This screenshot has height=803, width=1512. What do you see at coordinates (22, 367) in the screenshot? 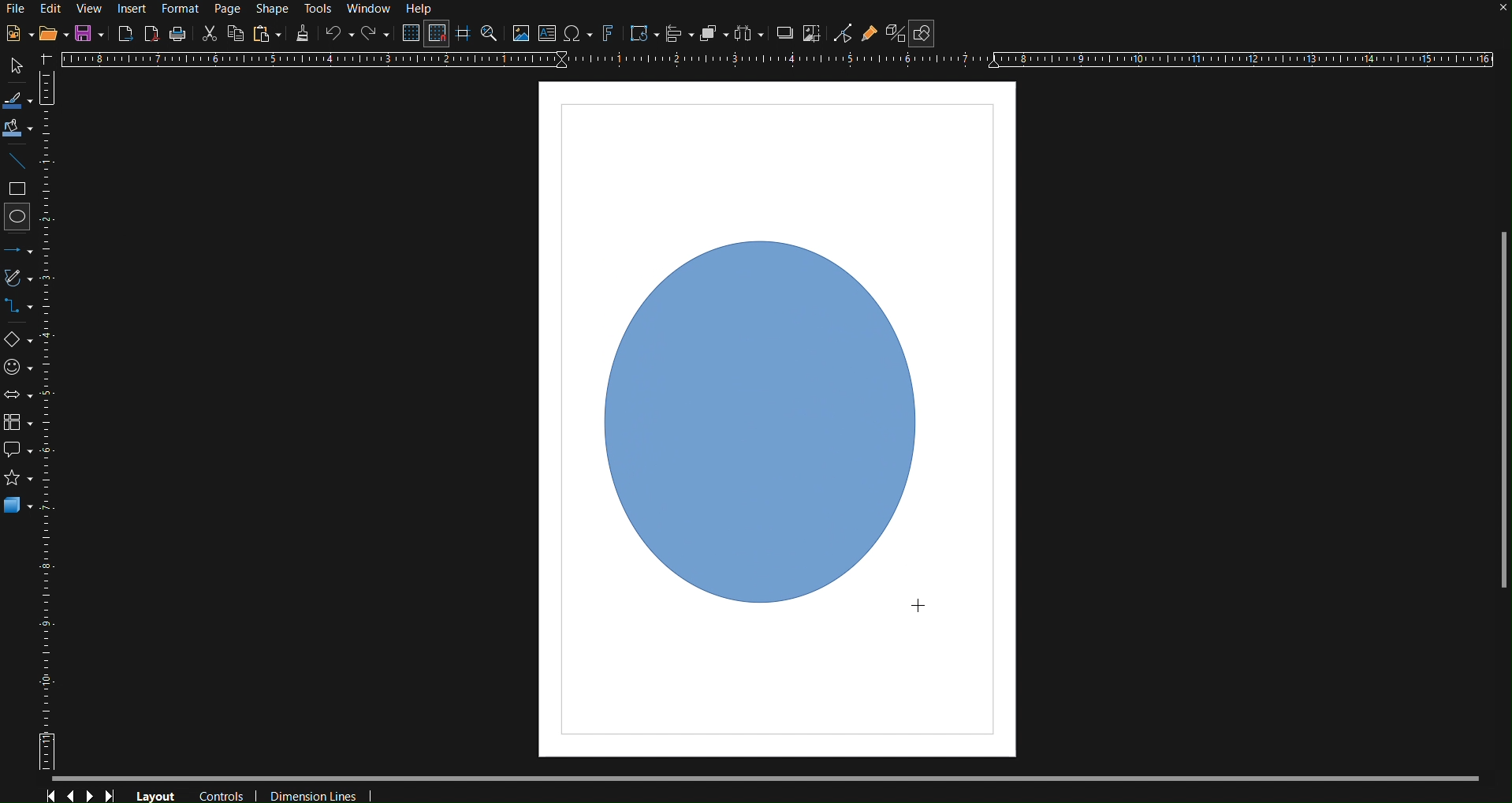
I see `Symbol Shapes` at bounding box center [22, 367].